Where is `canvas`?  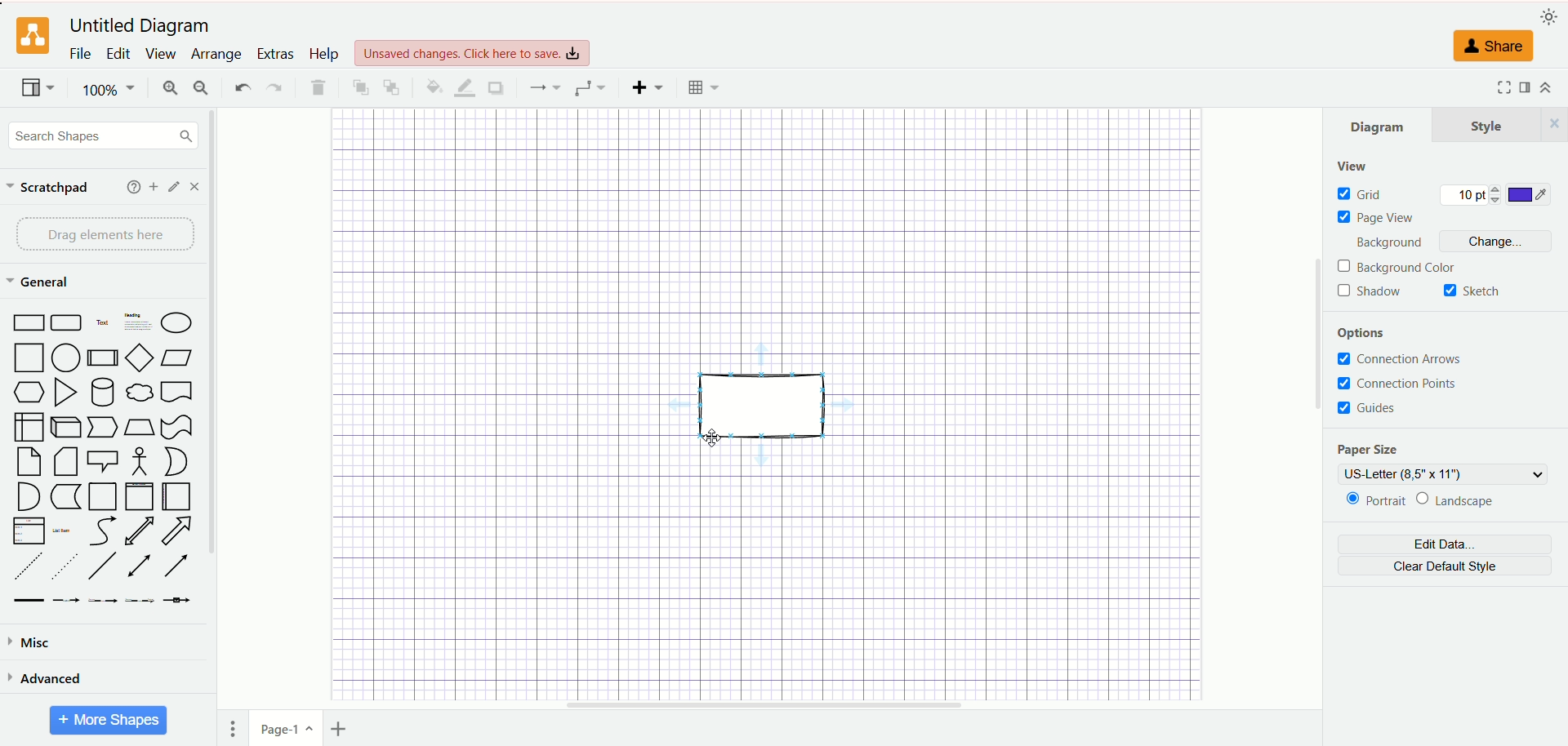
canvas is located at coordinates (768, 403).